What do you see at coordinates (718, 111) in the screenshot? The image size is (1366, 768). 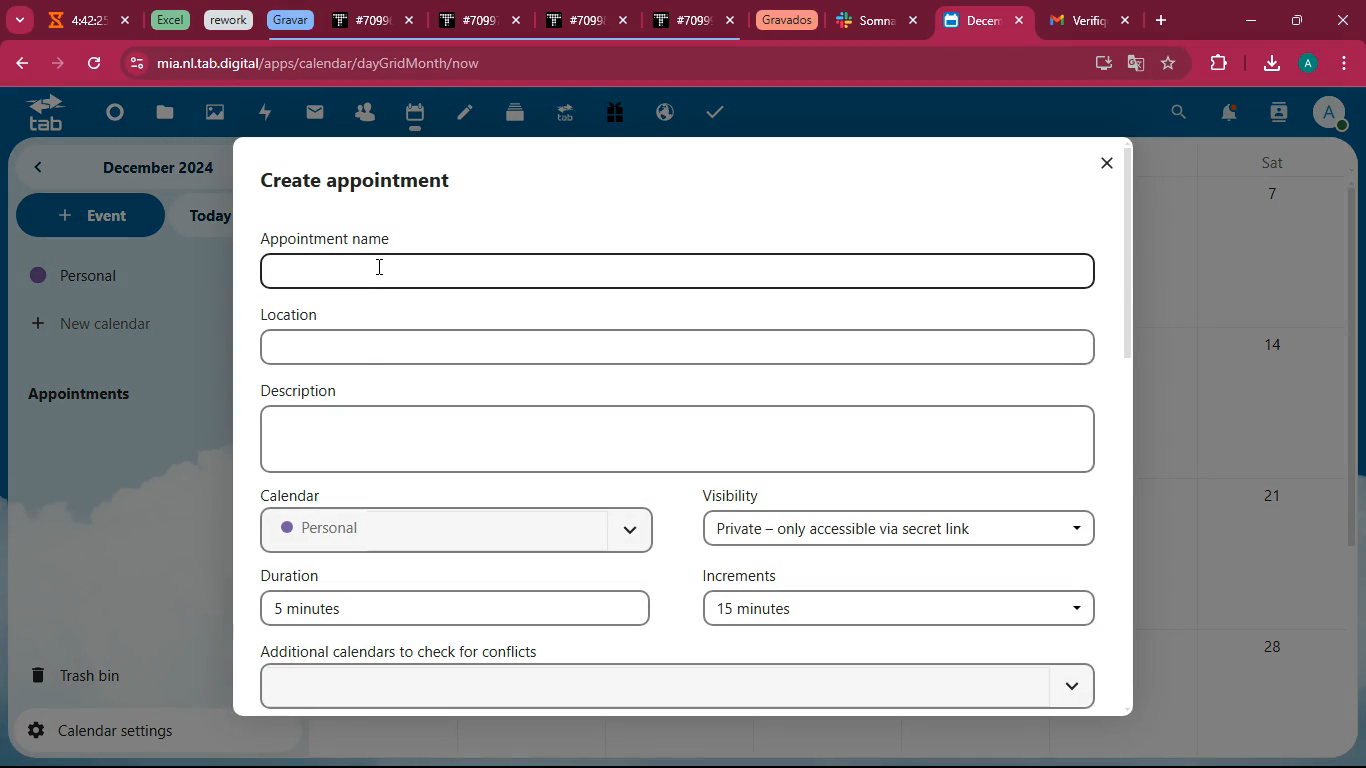 I see `taks` at bounding box center [718, 111].